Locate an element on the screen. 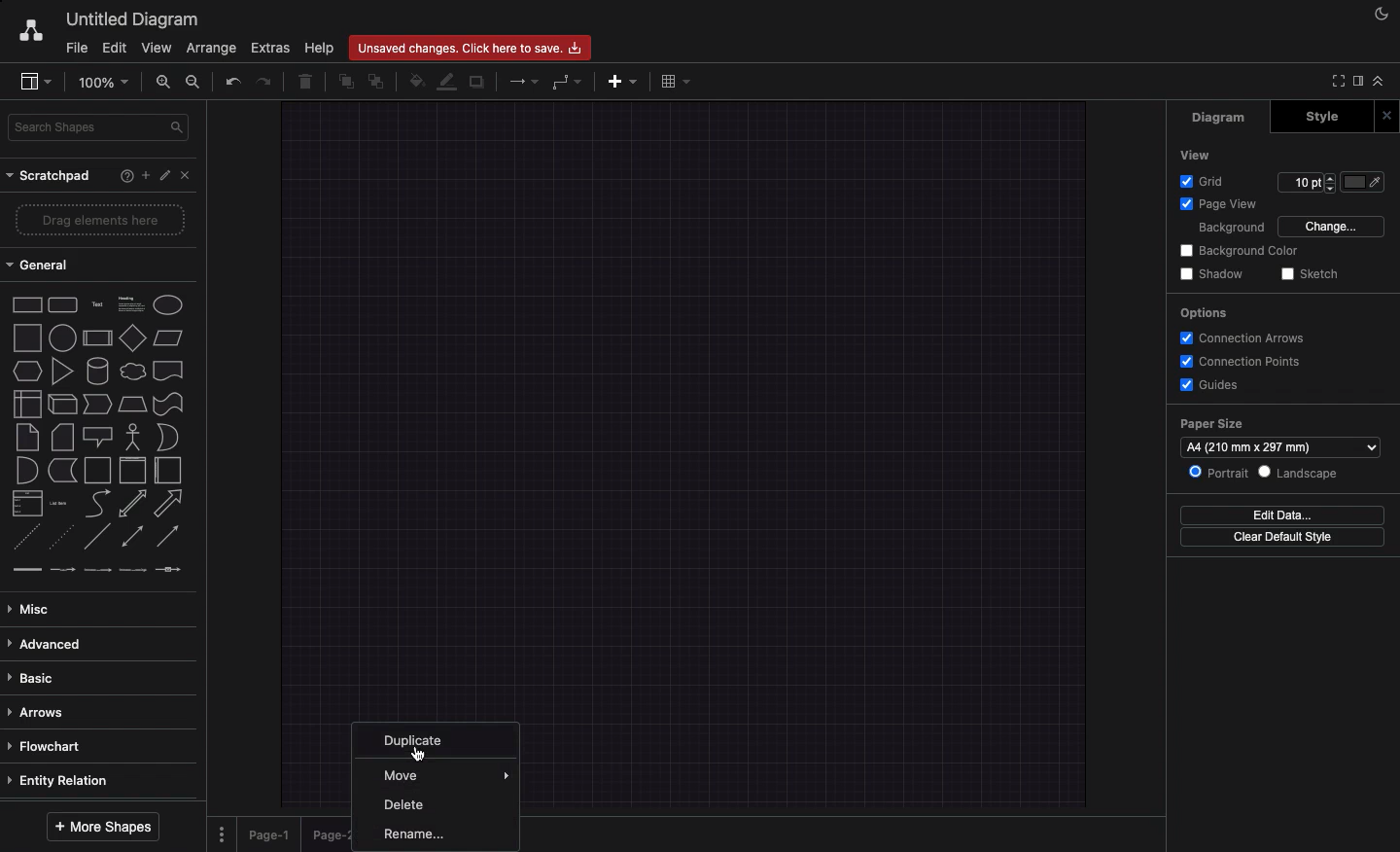  Night shift is located at coordinates (1384, 15).